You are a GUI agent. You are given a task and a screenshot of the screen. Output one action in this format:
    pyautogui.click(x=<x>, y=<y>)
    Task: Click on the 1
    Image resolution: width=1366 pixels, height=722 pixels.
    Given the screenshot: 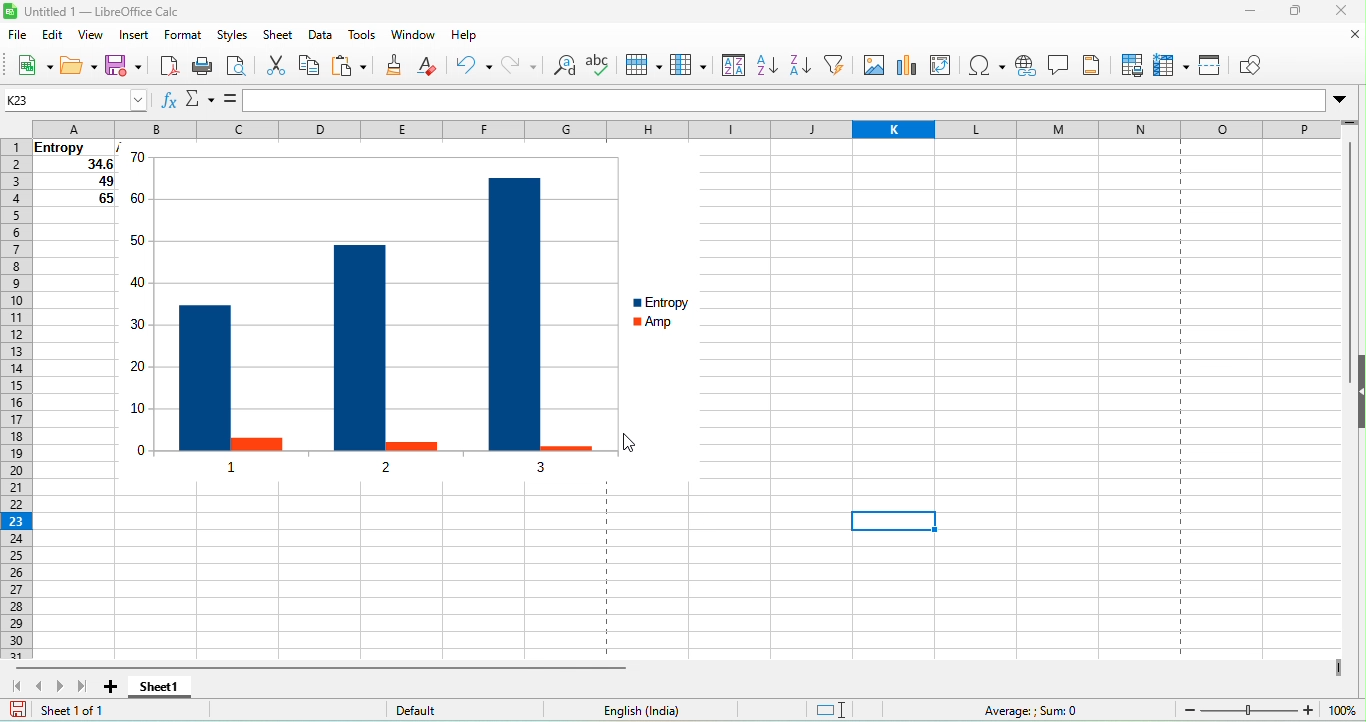 What is the action you would take?
    pyautogui.click(x=234, y=466)
    